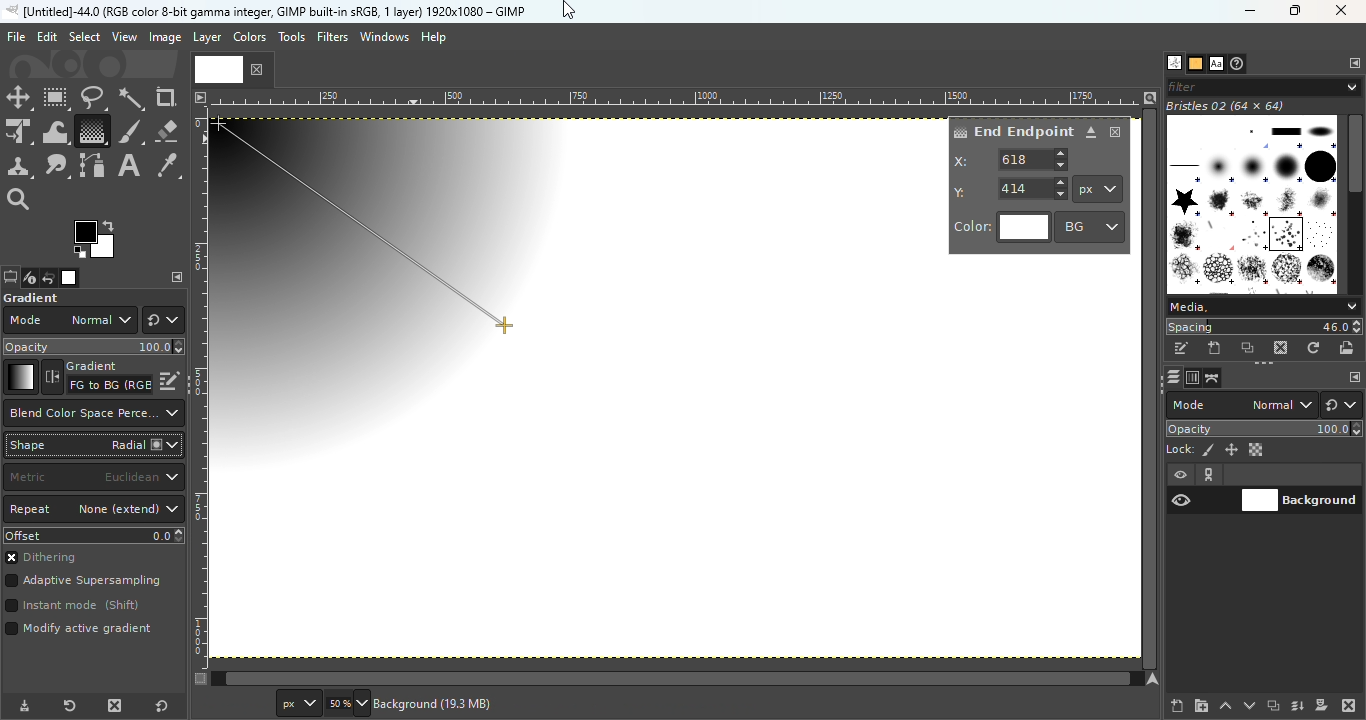  Describe the element at coordinates (164, 38) in the screenshot. I see `Image` at that location.